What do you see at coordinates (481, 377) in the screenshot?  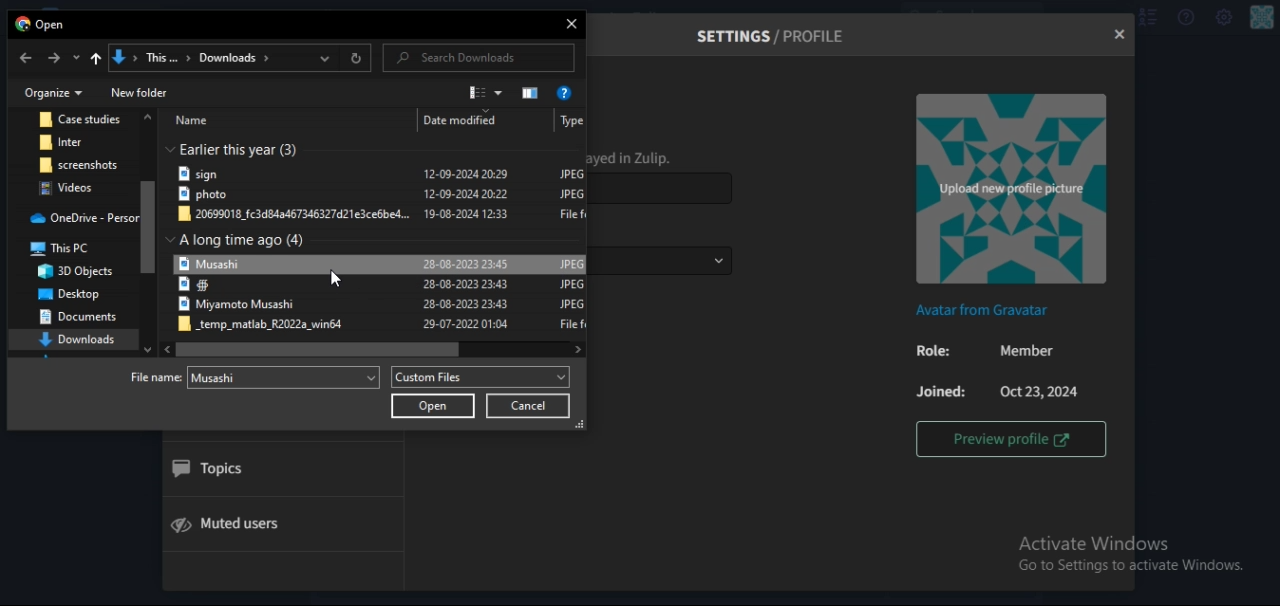 I see `custom files` at bounding box center [481, 377].